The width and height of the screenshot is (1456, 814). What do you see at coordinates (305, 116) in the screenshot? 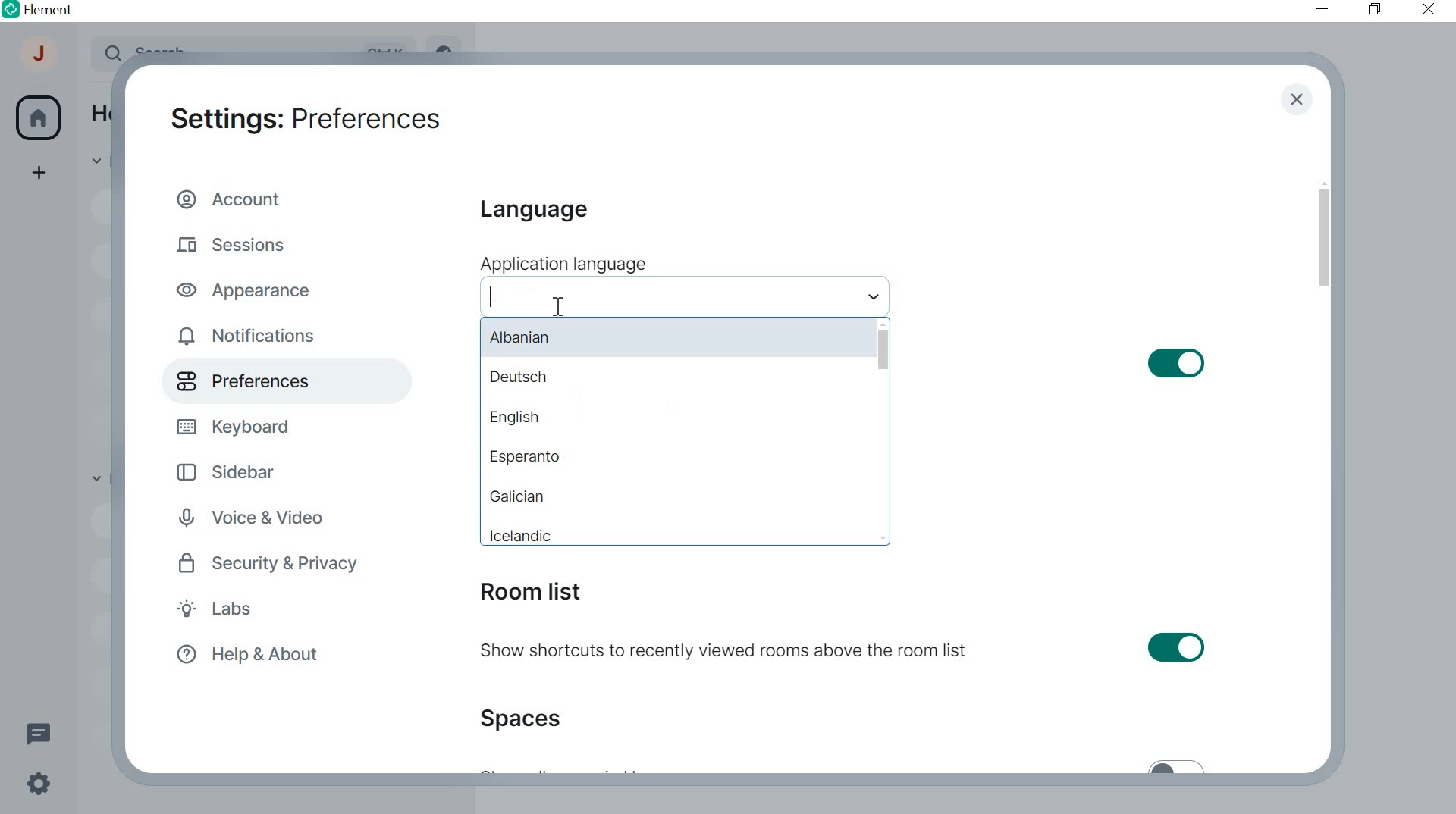
I see `SETTINGS: PREFERENCES` at bounding box center [305, 116].